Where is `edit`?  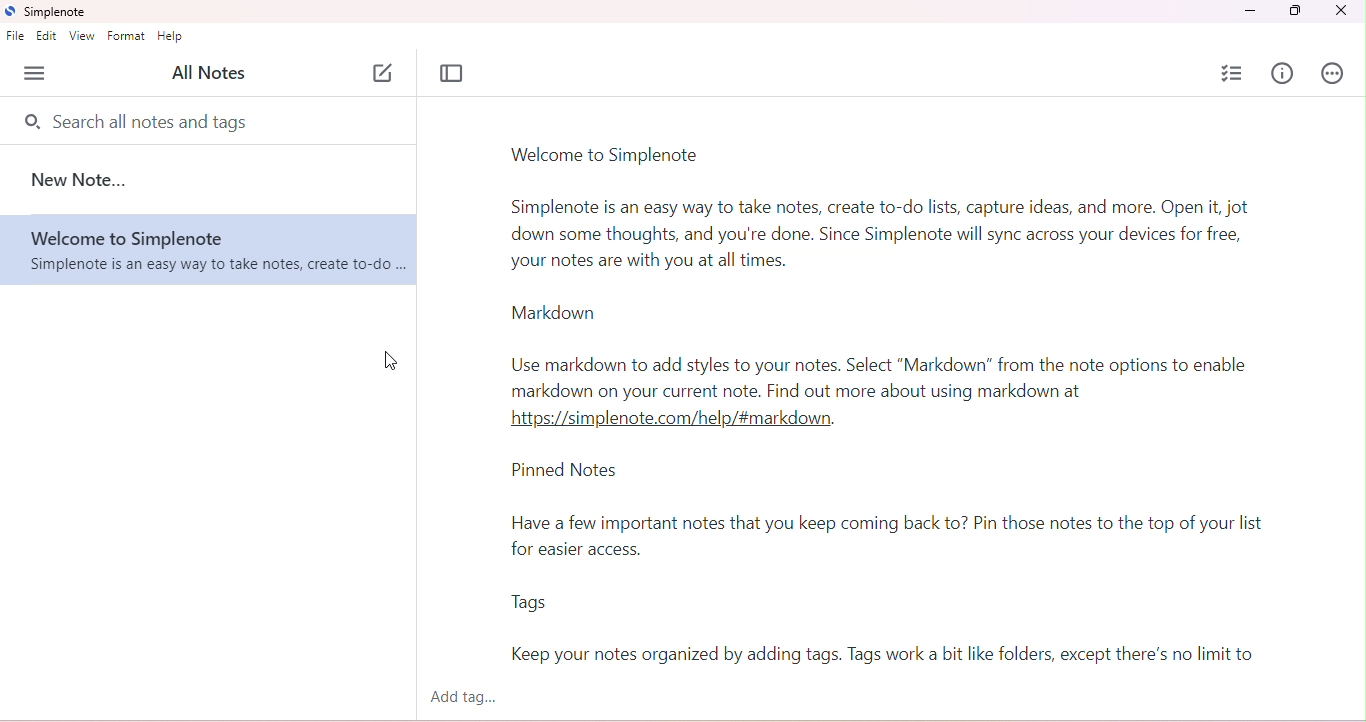 edit is located at coordinates (48, 37).